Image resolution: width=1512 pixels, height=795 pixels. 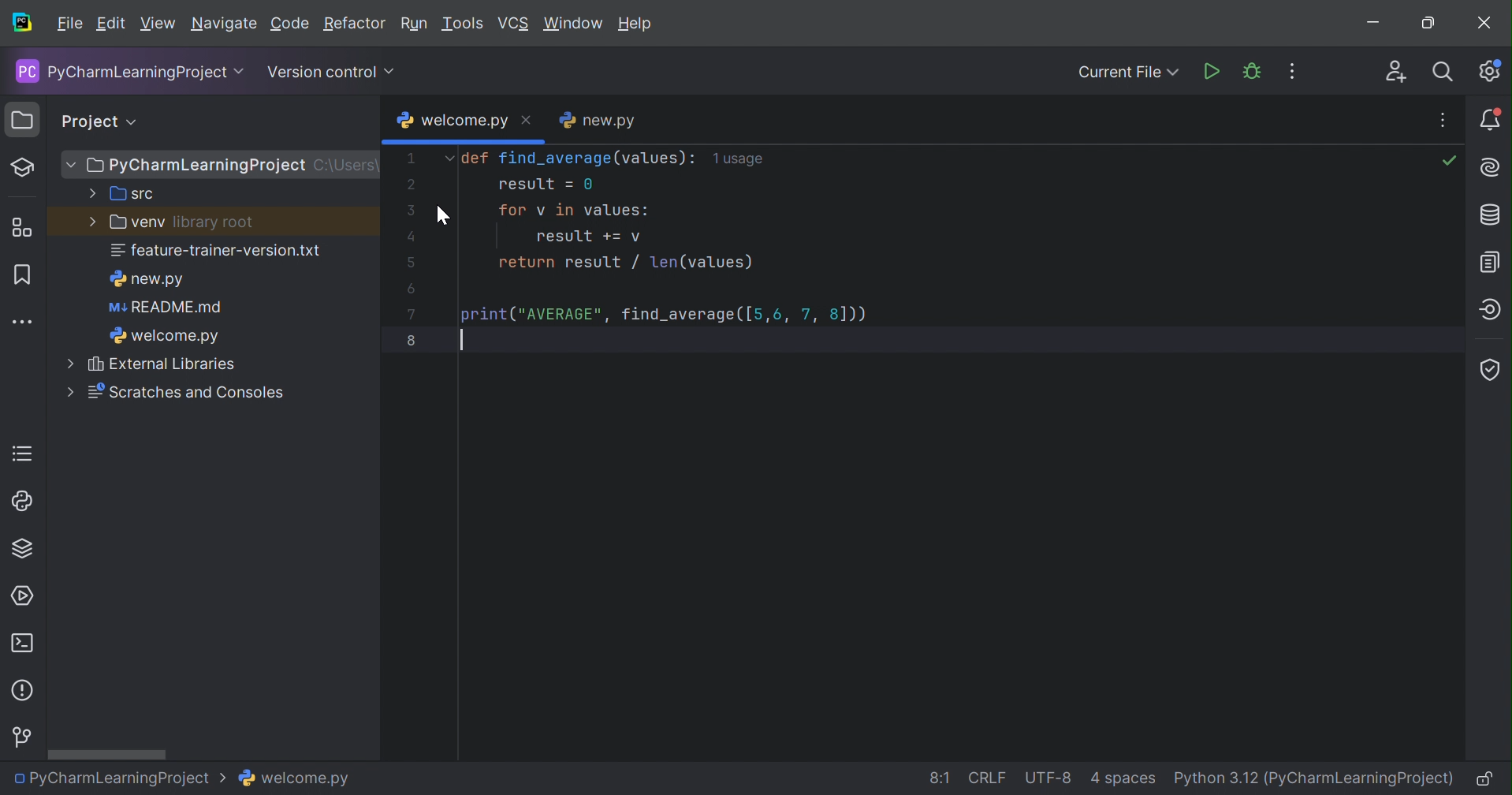 I want to click on Python Console, so click(x=19, y=502).